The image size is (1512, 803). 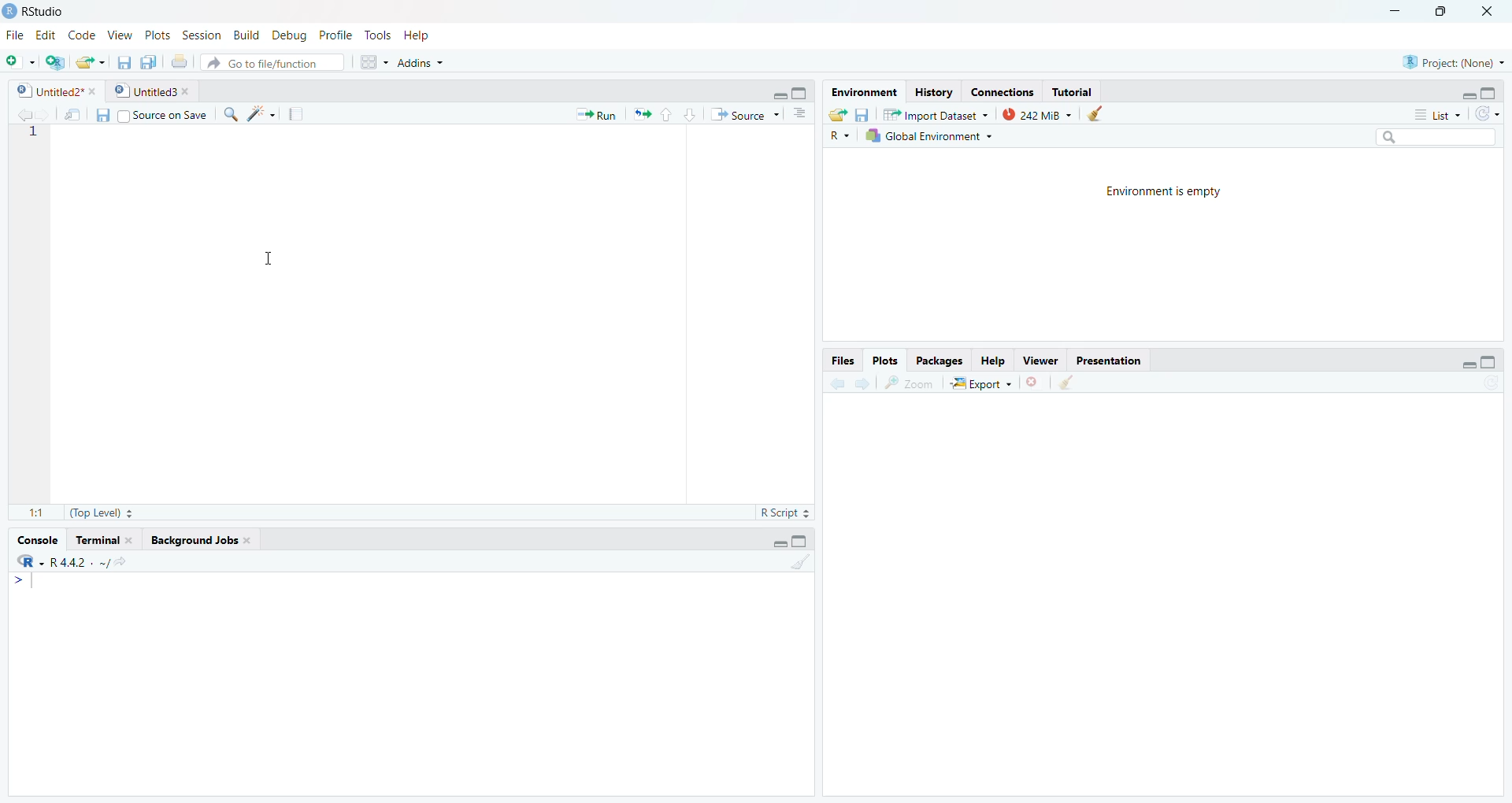 I want to click on close, so click(x=1035, y=382).